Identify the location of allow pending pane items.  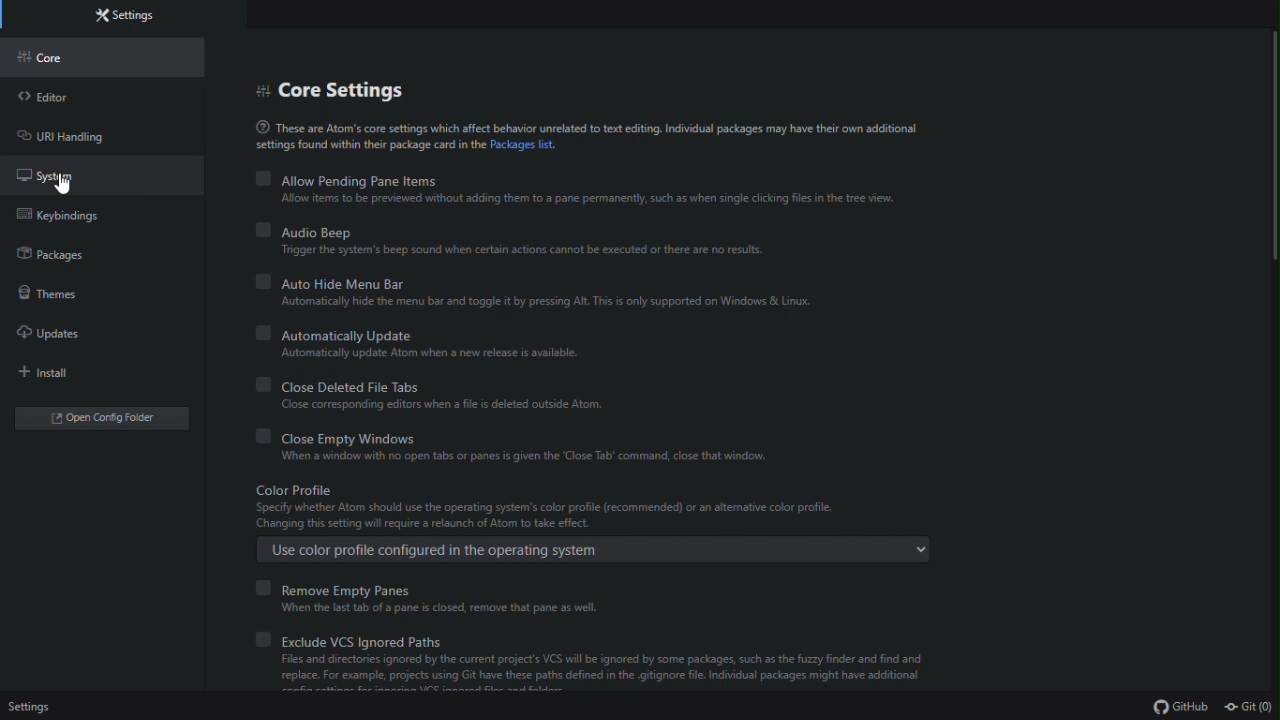
(591, 179).